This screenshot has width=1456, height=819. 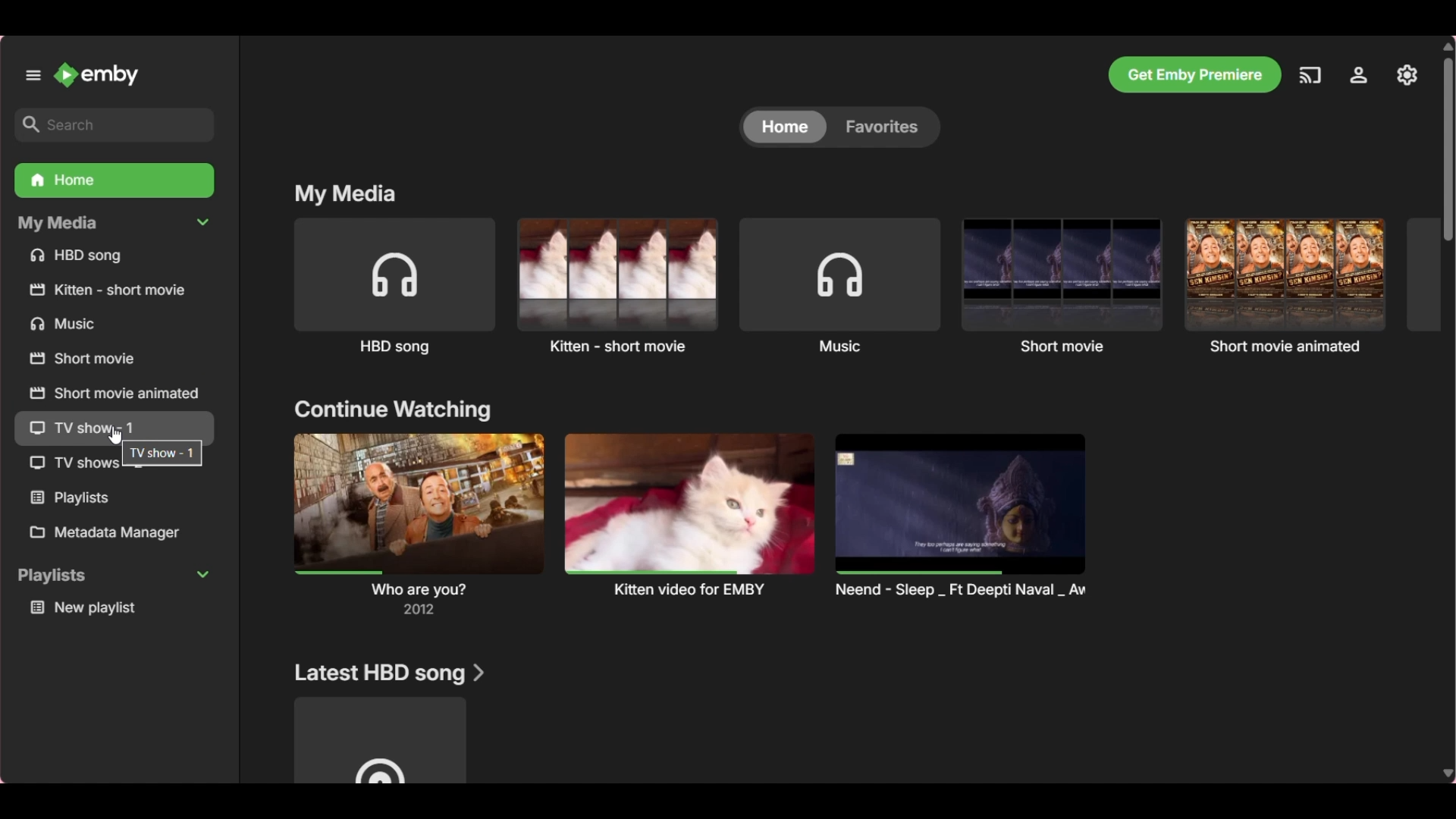 I want to click on Music, so click(x=839, y=286).